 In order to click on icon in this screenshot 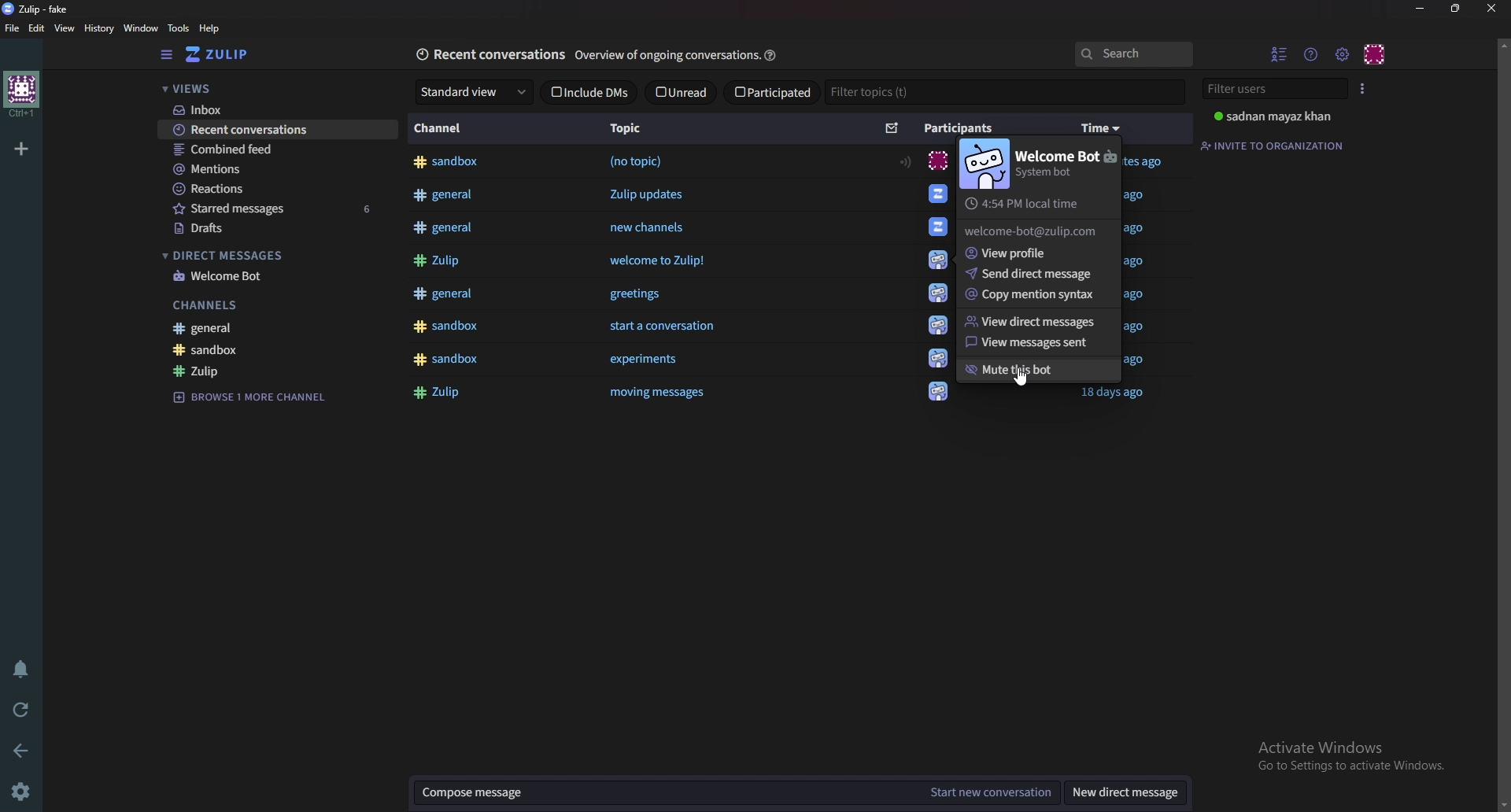, I will do `click(937, 394)`.